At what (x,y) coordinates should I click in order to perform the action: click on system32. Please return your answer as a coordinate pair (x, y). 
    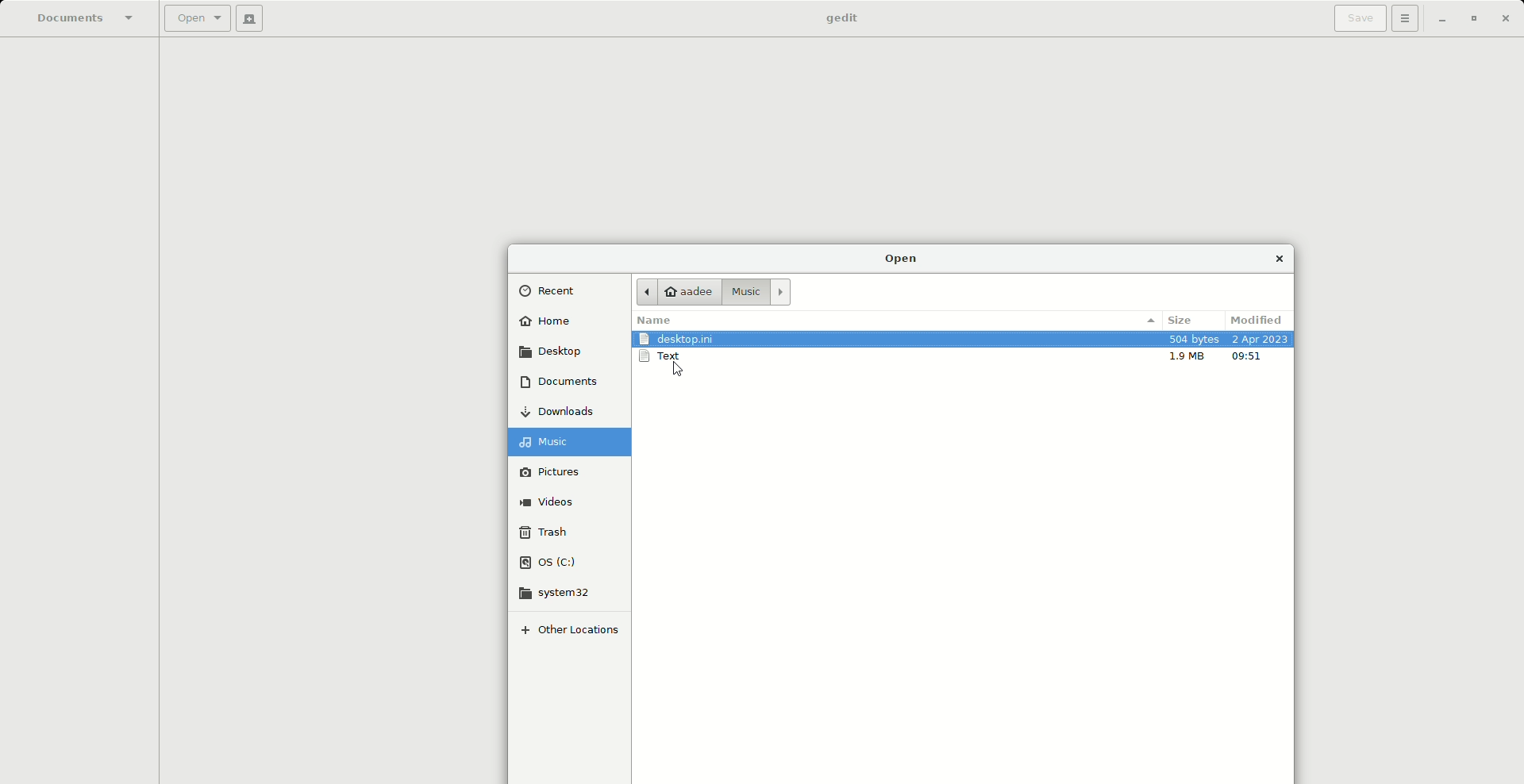
    Looking at the image, I should click on (564, 598).